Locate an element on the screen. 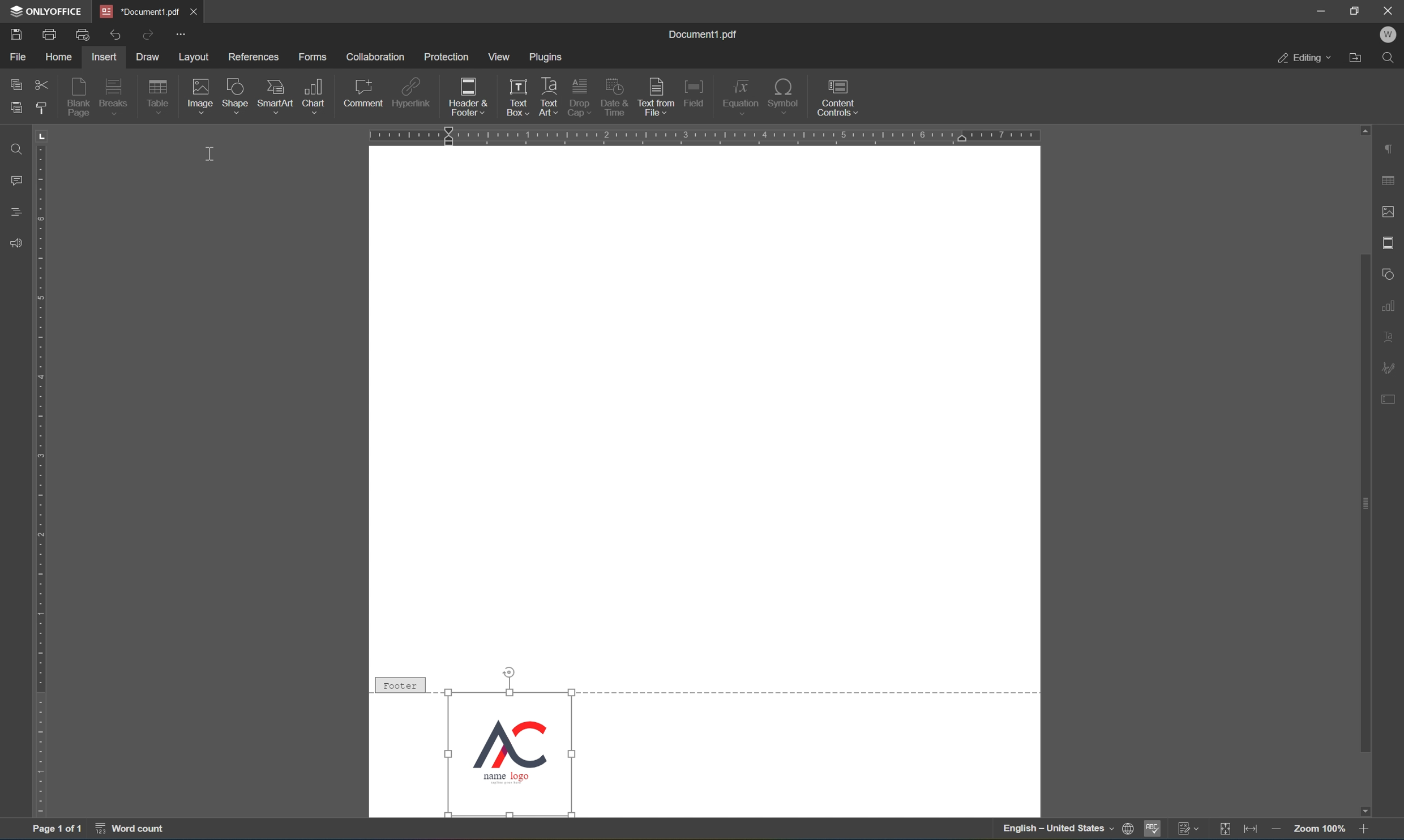 This screenshot has height=840, width=1404. close is located at coordinates (1390, 11).